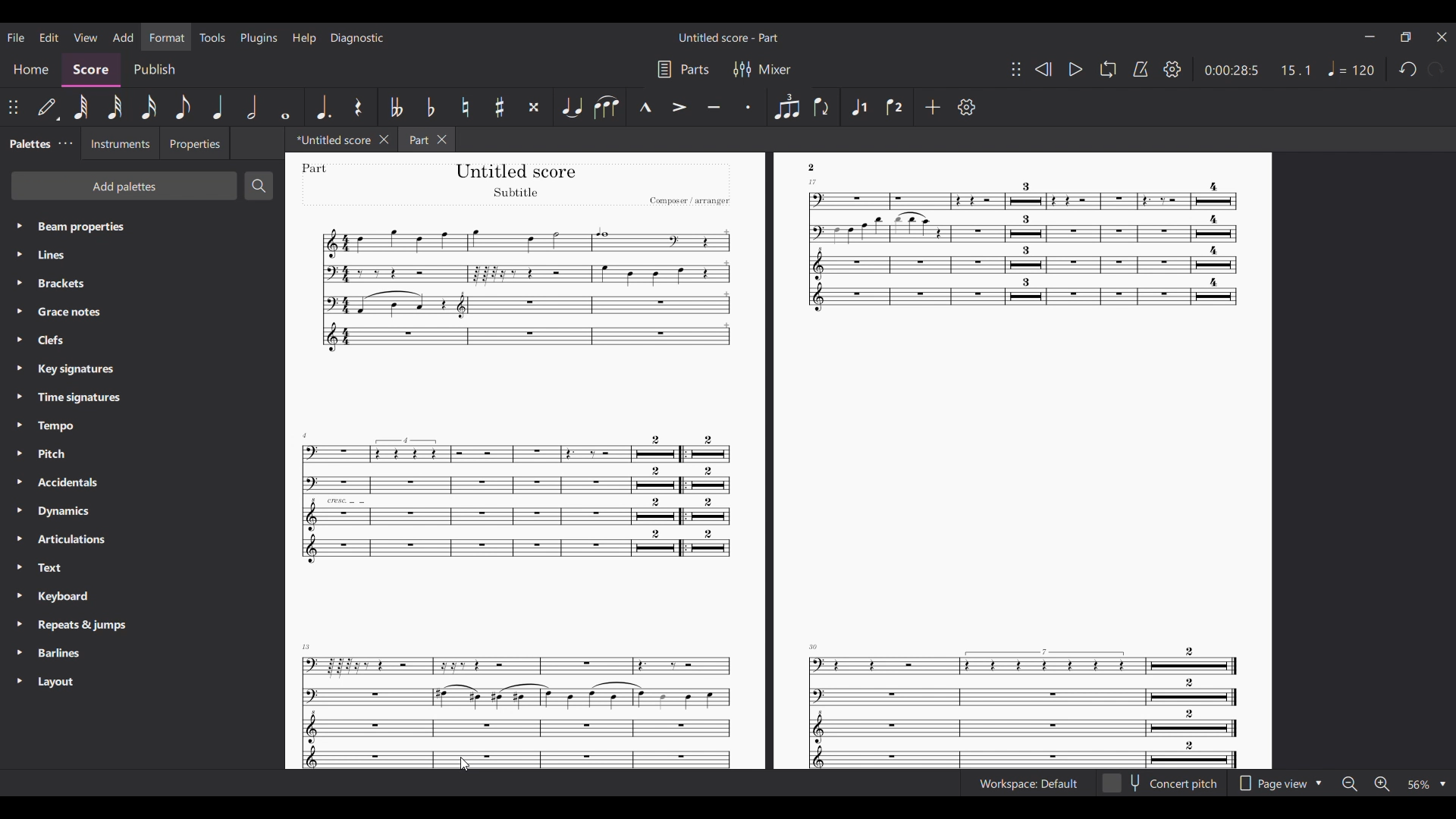 This screenshot has width=1456, height=819. What do you see at coordinates (1351, 68) in the screenshot?
I see `Tempo` at bounding box center [1351, 68].